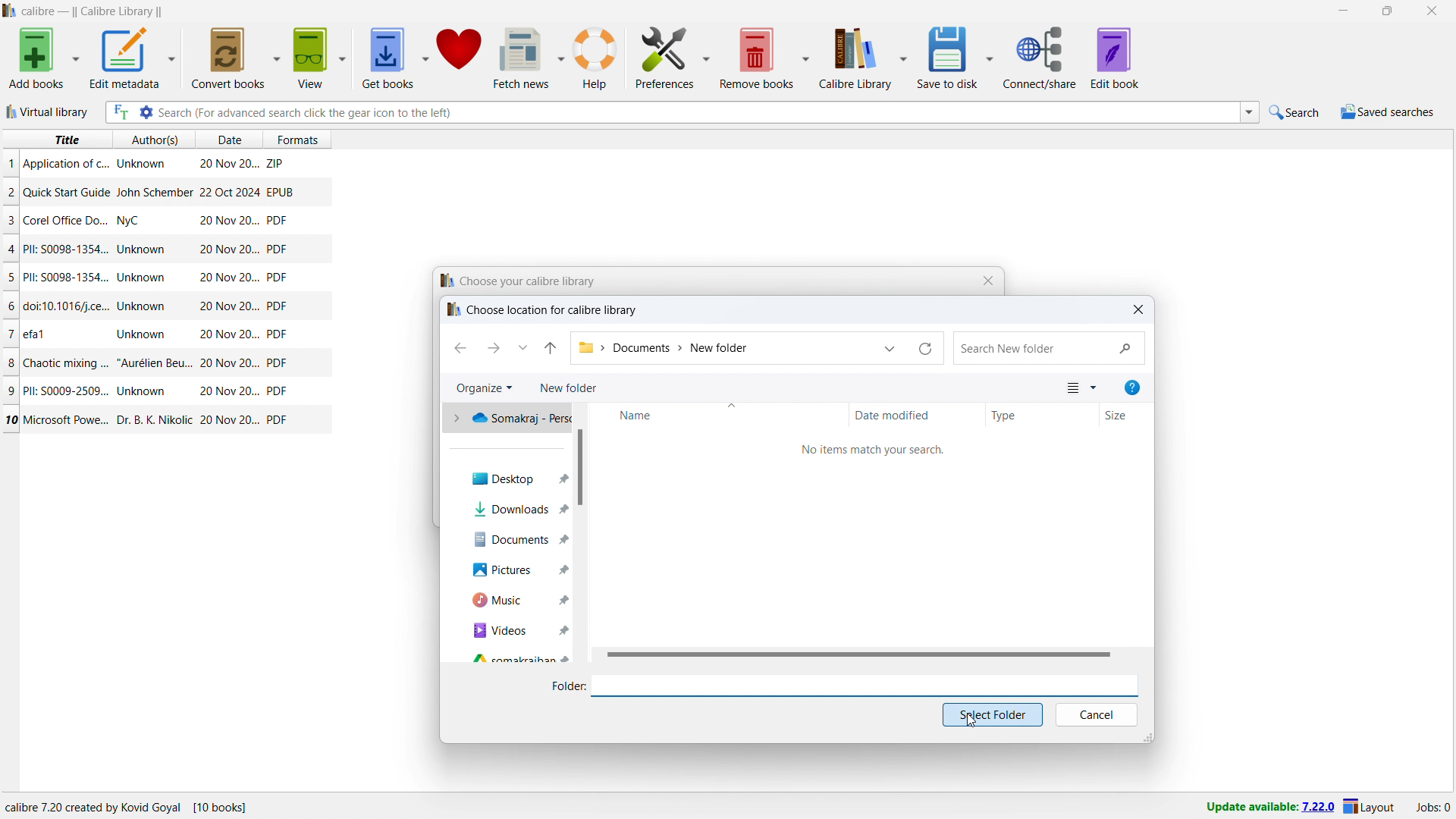  Describe the element at coordinates (523, 347) in the screenshot. I see `recent locations` at that location.